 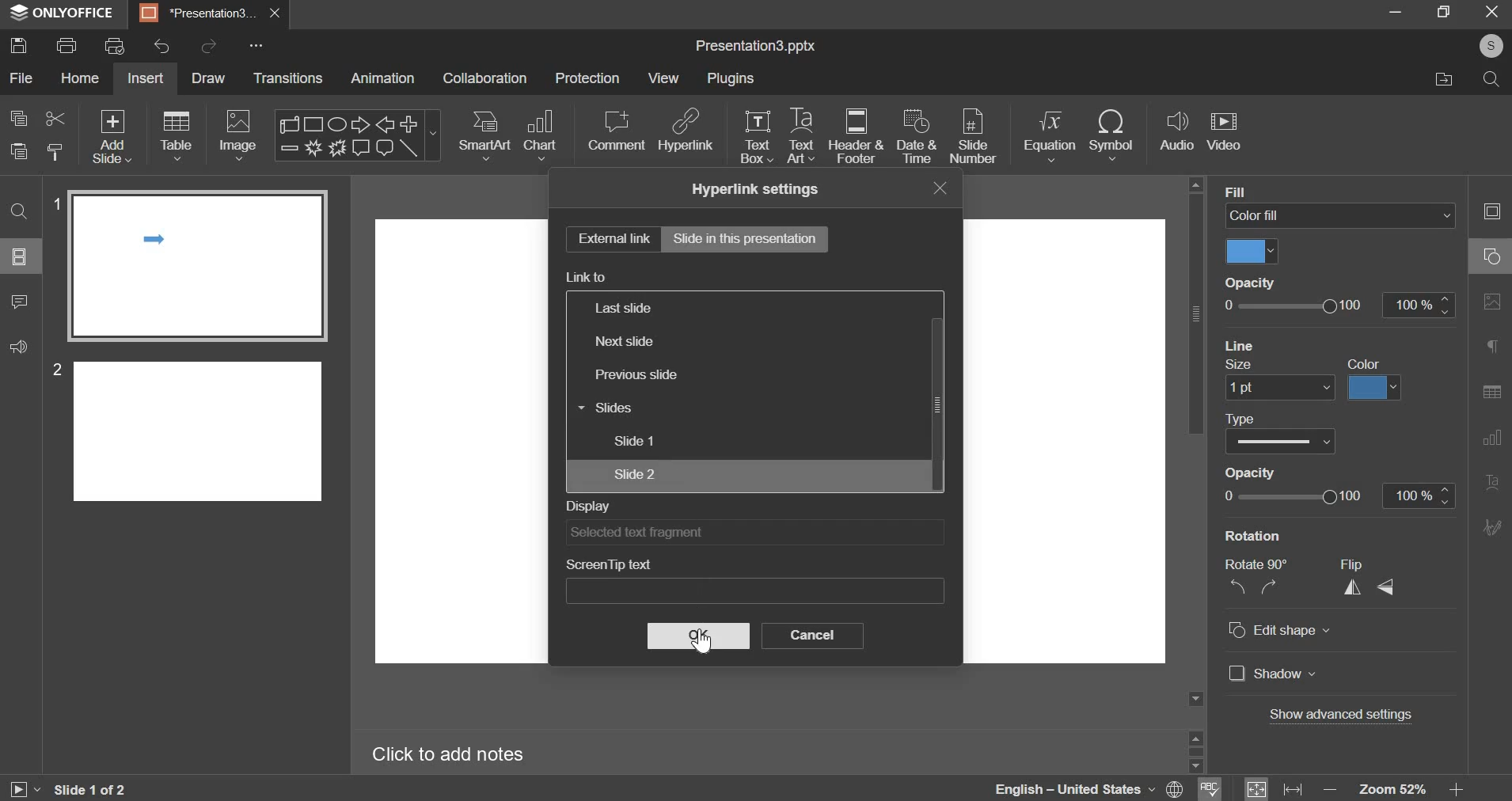 What do you see at coordinates (1491, 256) in the screenshot?
I see `Shape settings` at bounding box center [1491, 256].